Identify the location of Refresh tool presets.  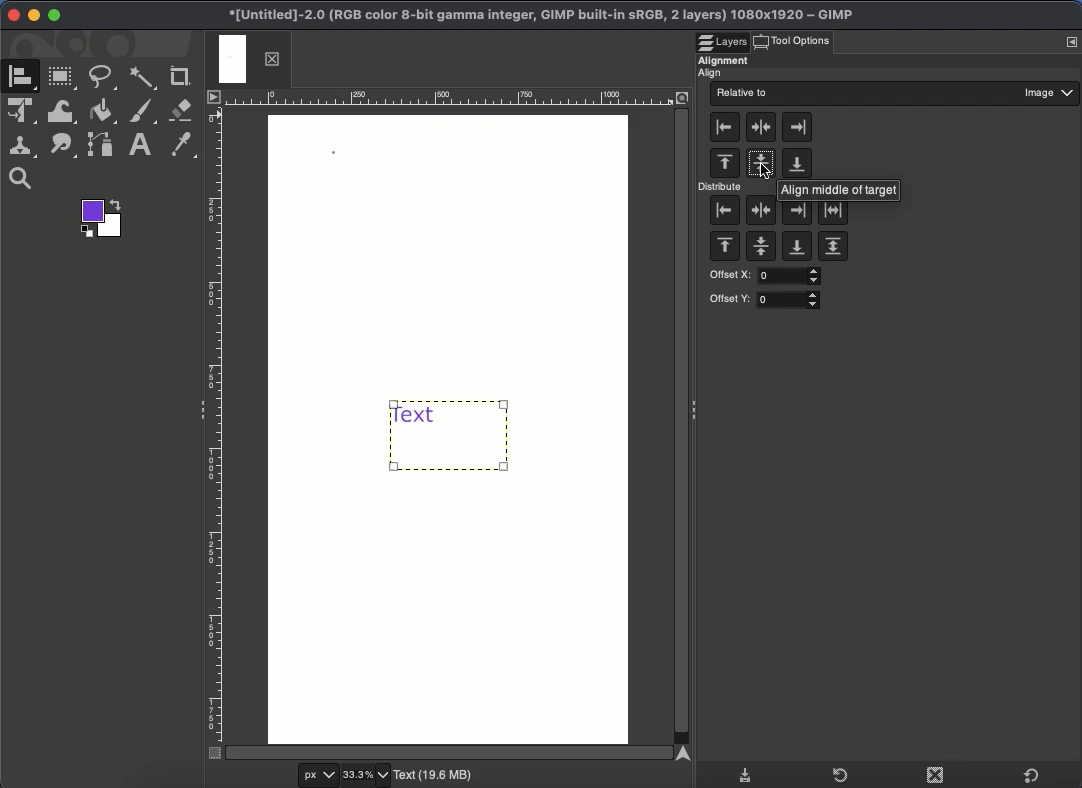
(834, 774).